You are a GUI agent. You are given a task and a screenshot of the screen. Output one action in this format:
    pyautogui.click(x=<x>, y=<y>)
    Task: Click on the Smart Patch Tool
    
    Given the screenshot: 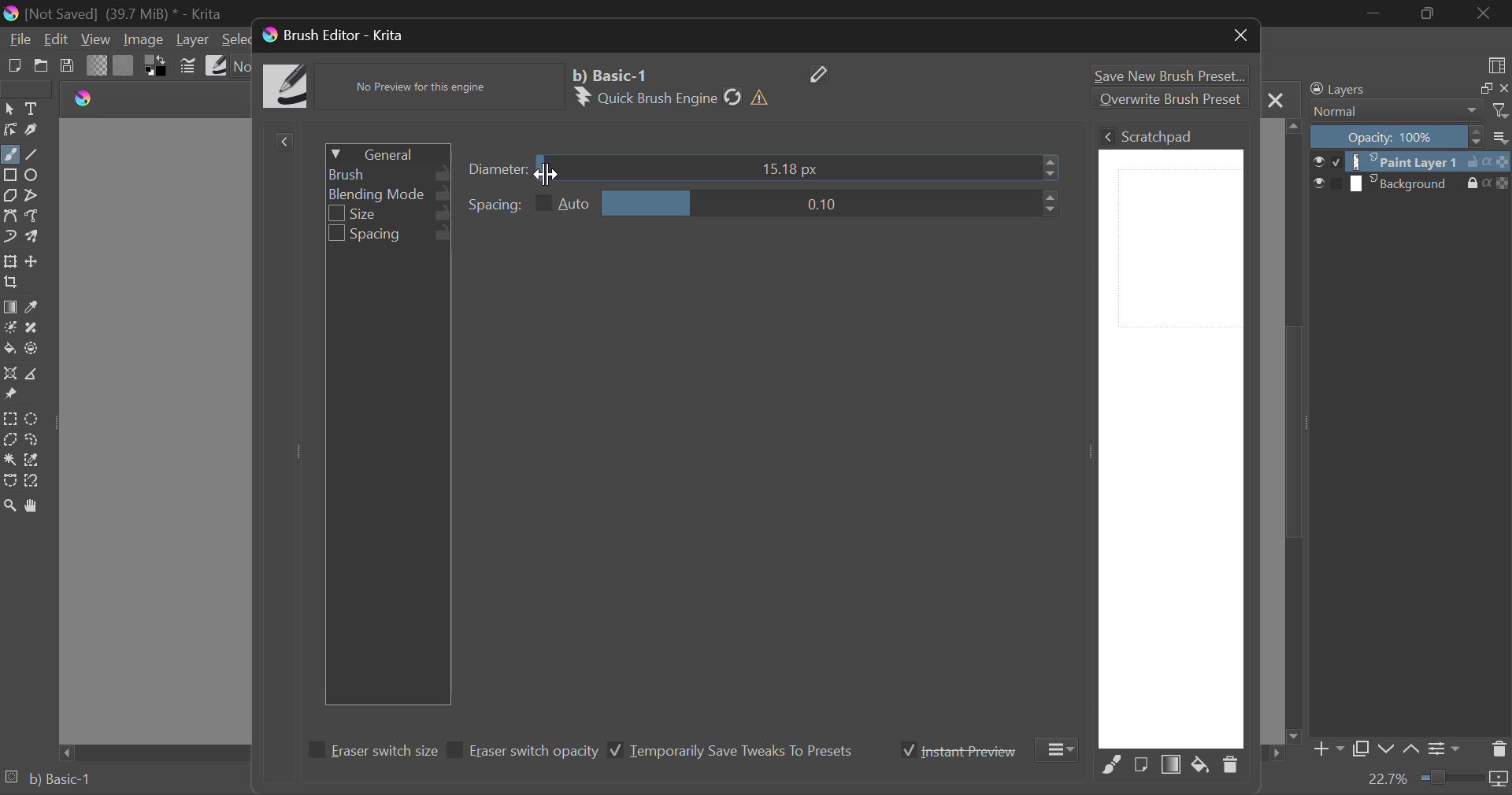 What is the action you would take?
    pyautogui.click(x=32, y=328)
    